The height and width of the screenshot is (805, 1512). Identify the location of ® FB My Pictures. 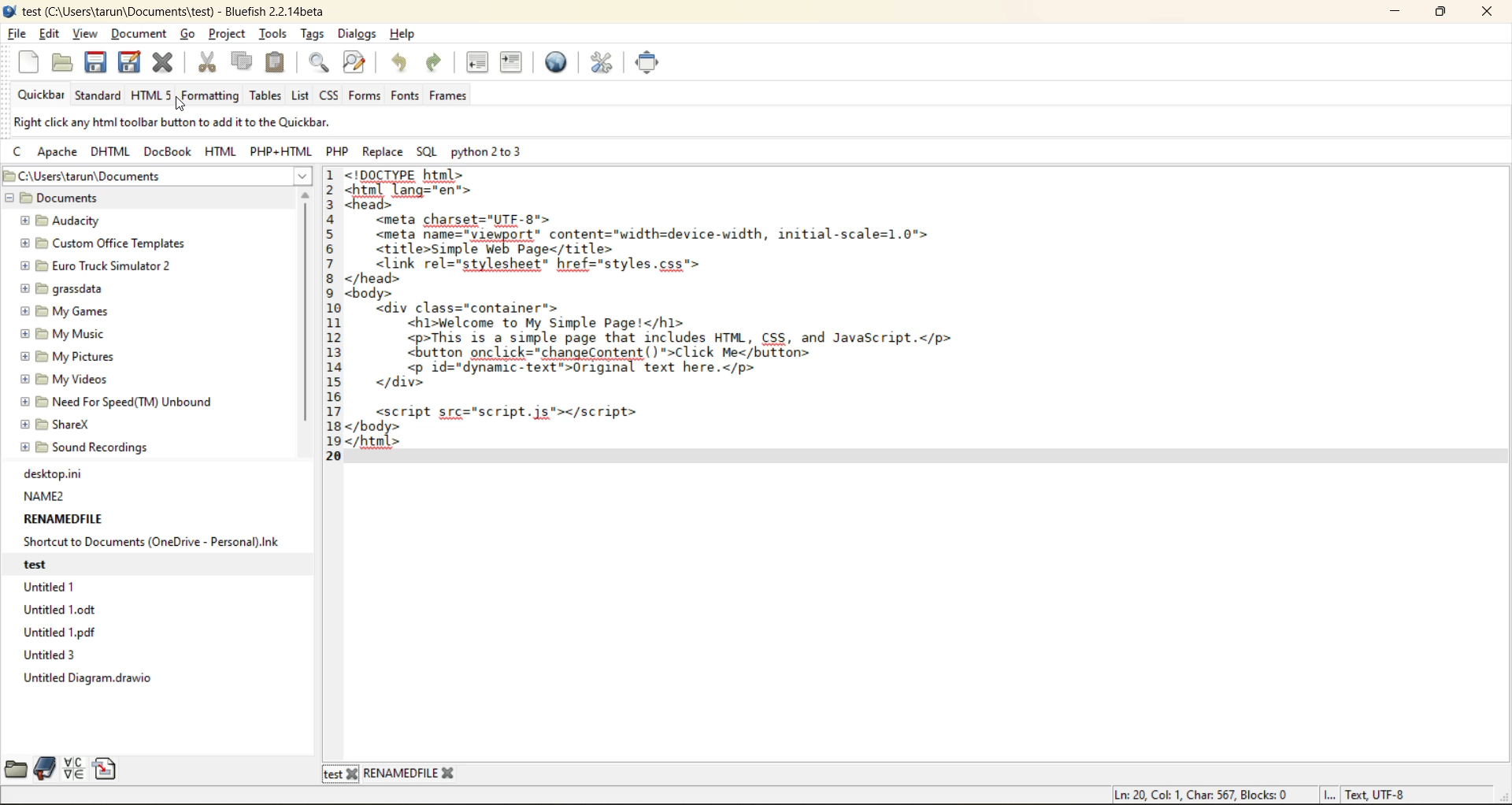
(68, 357).